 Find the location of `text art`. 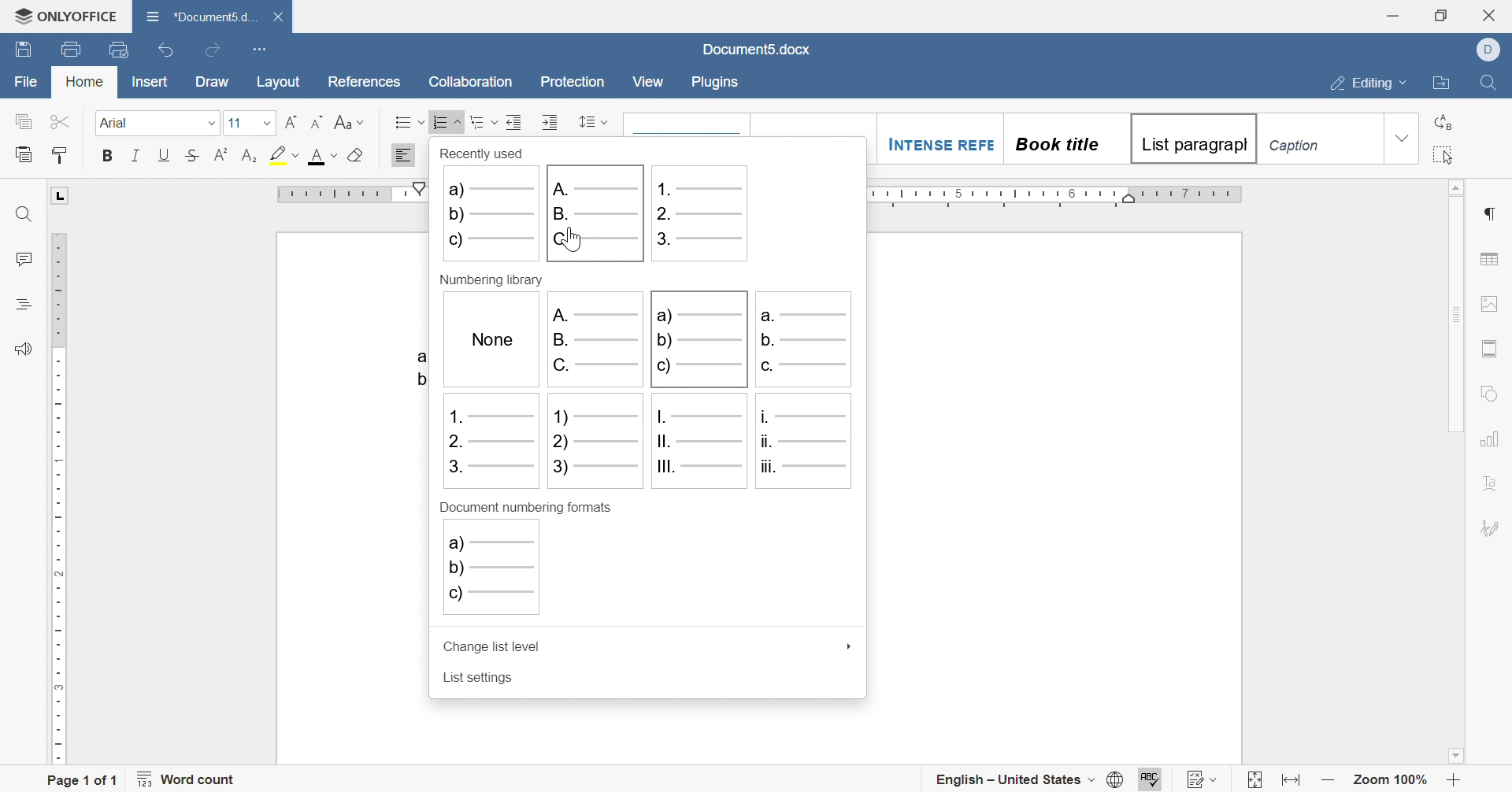

text art is located at coordinates (1491, 483).